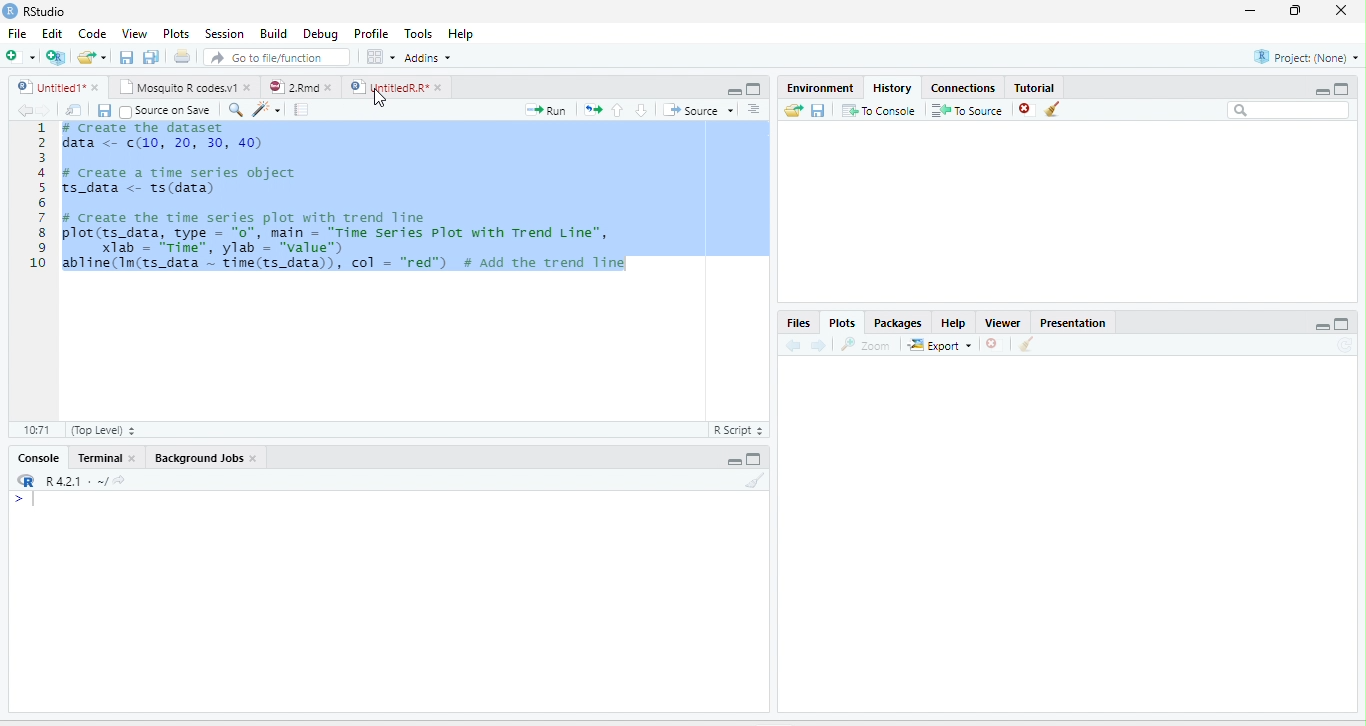 This screenshot has width=1366, height=726. What do you see at coordinates (35, 430) in the screenshot?
I see `1:1` at bounding box center [35, 430].